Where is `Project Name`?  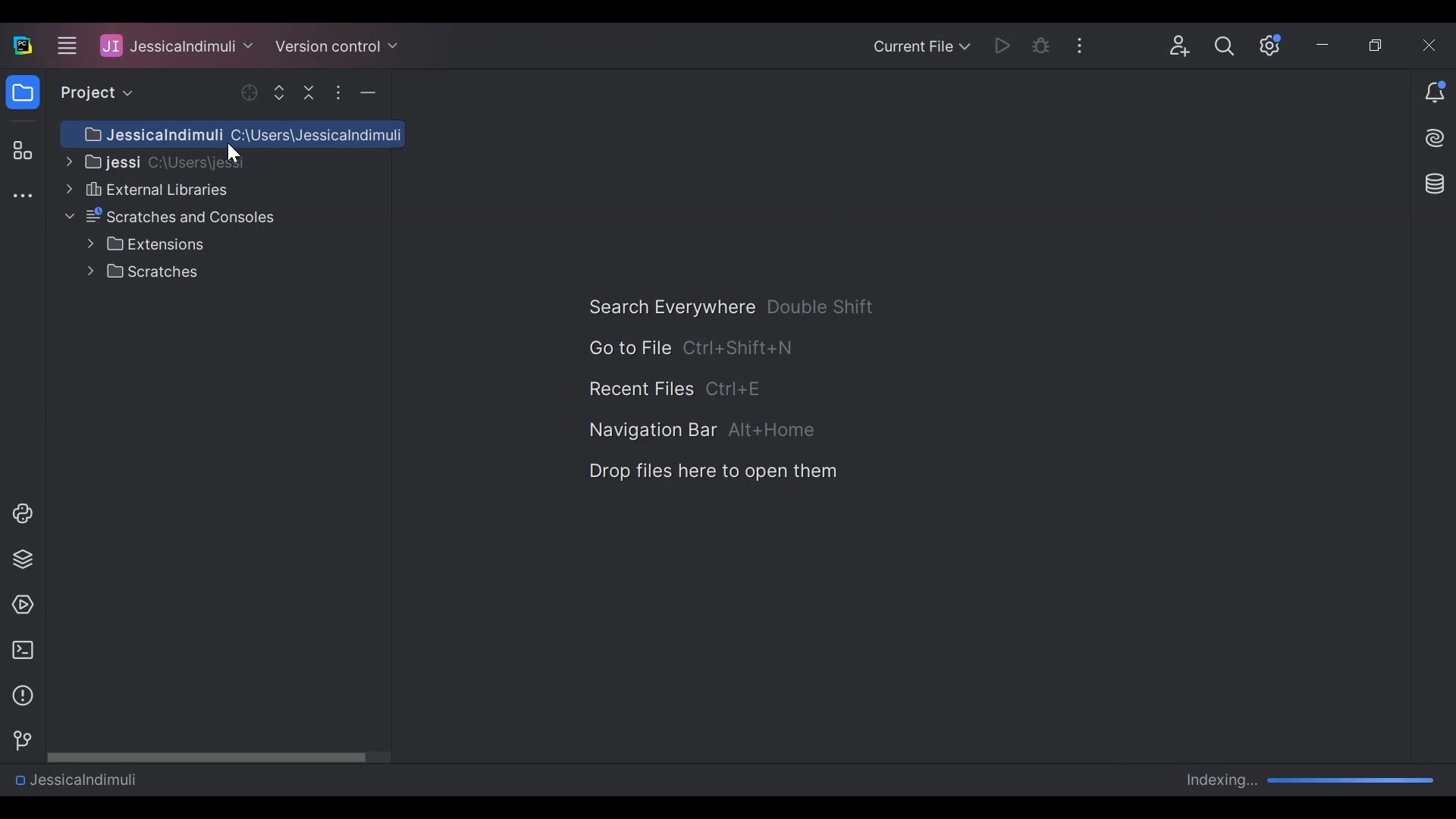
Project Name is located at coordinates (177, 45).